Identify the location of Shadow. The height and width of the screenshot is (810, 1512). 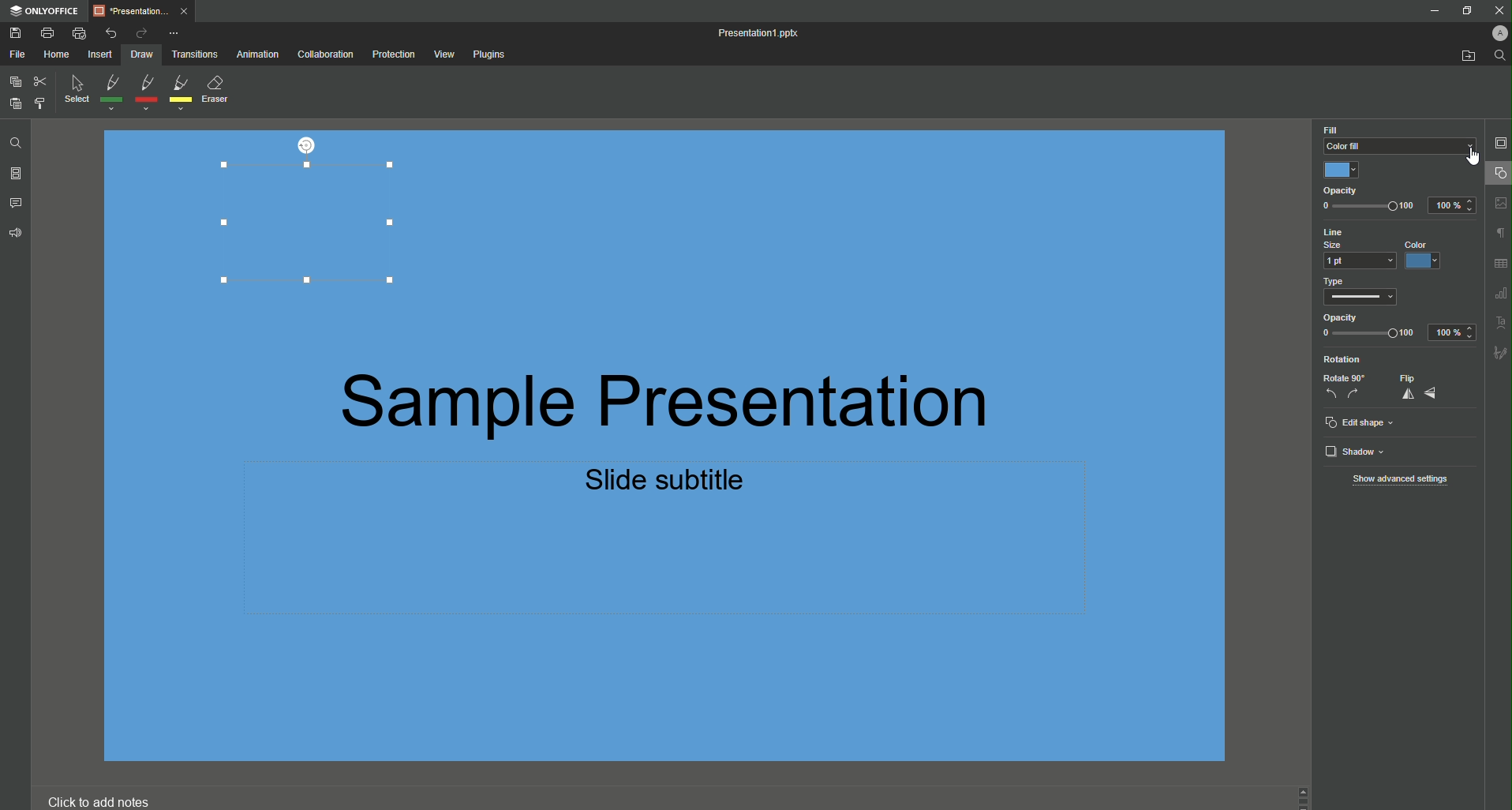
(1358, 452).